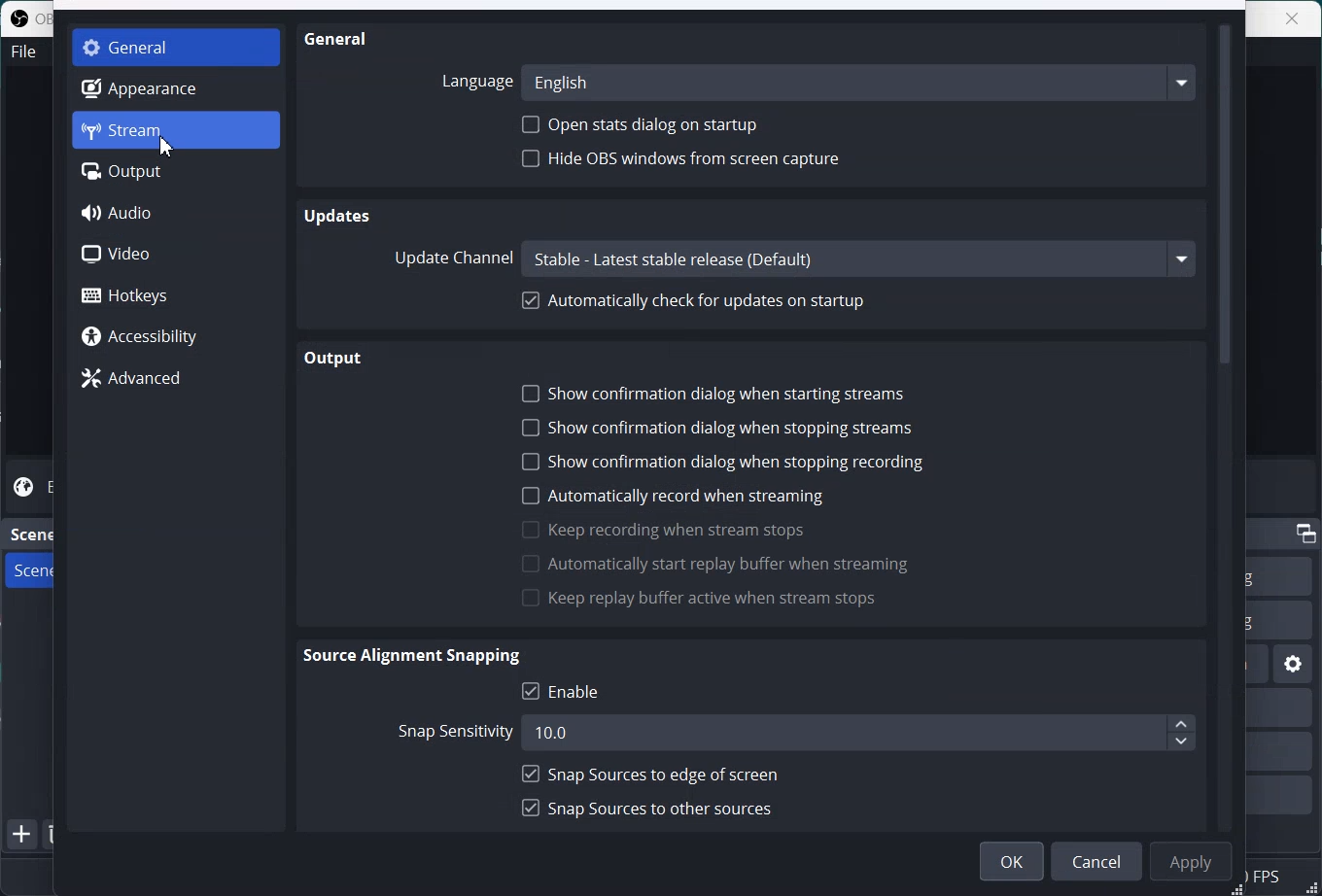 Image resolution: width=1322 pixels, height=896 pixels. I want to click on Language, so click(471, 83).